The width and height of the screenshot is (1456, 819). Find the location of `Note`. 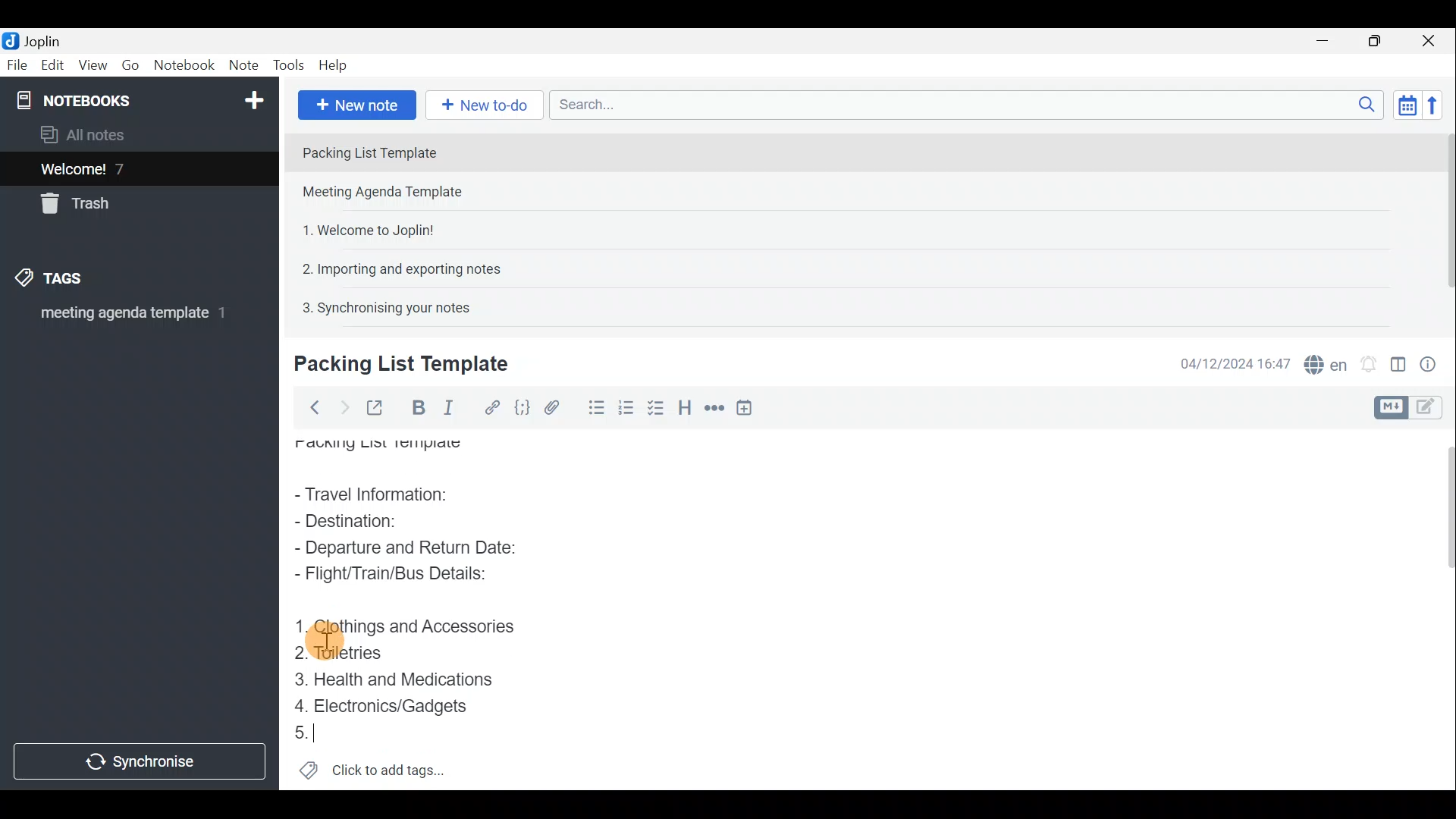

Note is located at coordinates (243, 66).